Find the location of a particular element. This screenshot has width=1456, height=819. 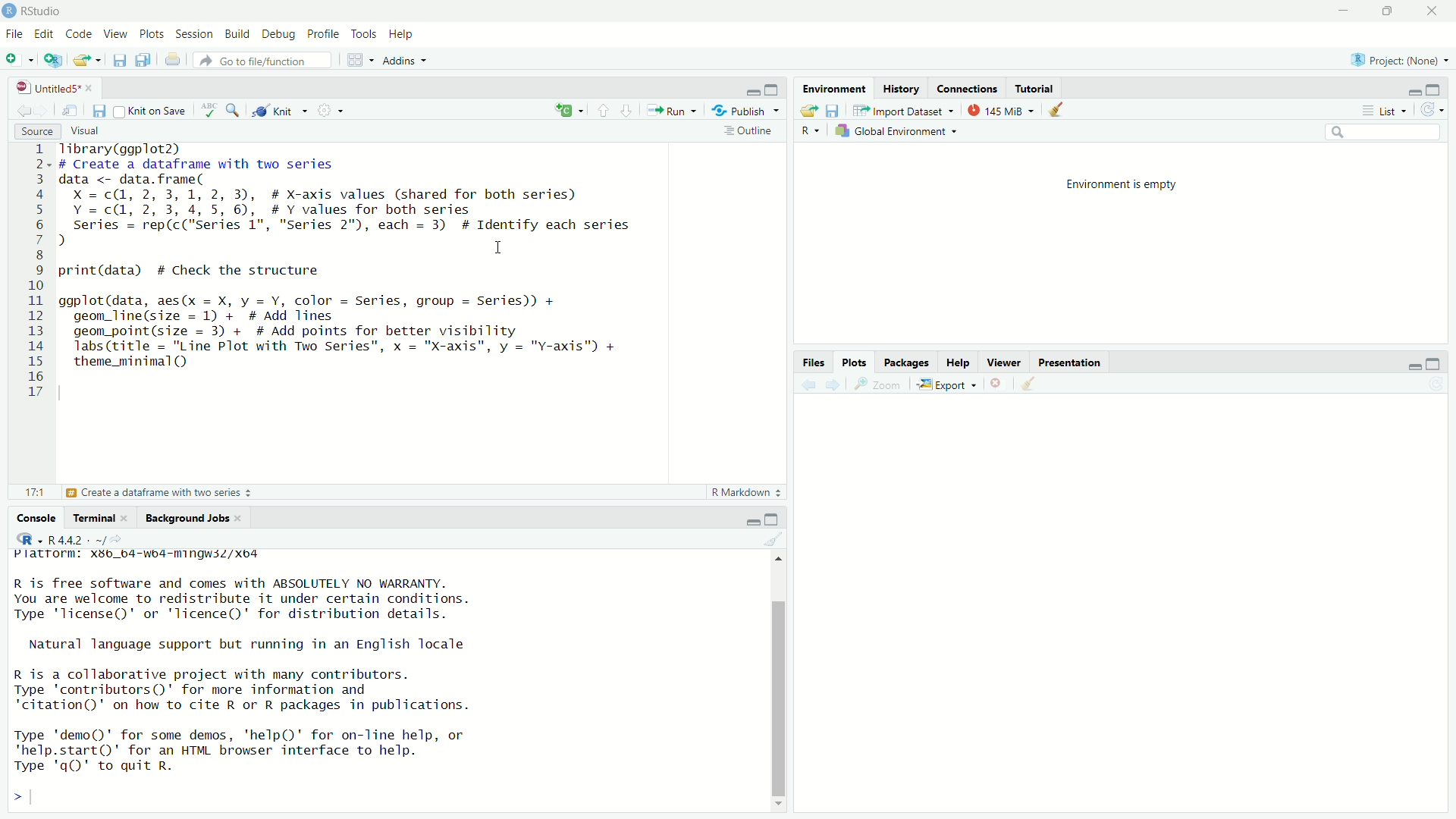

ABC is located at coordinates (208, 111).